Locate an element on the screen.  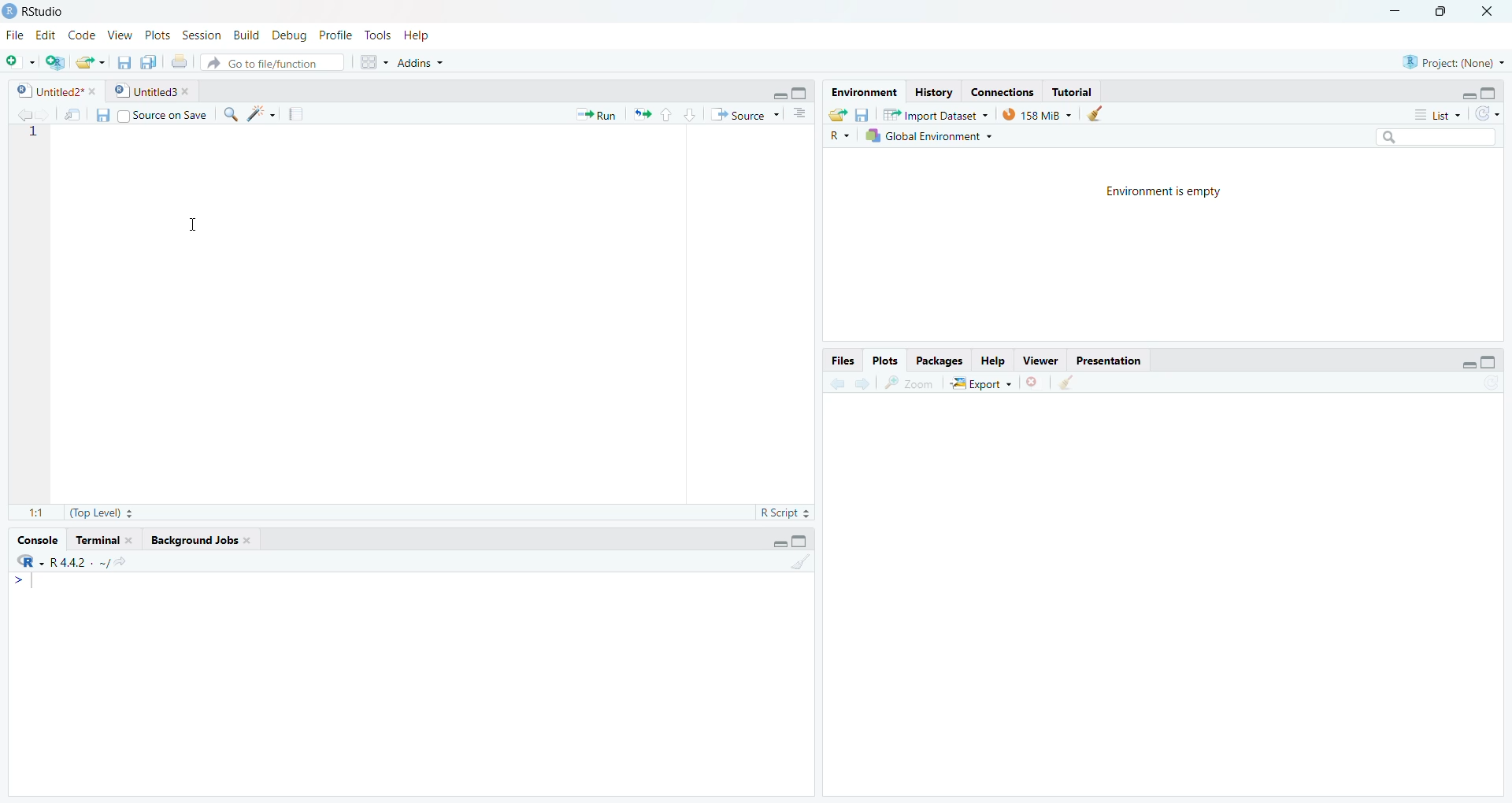
 is located at coordinates (1096, 113).